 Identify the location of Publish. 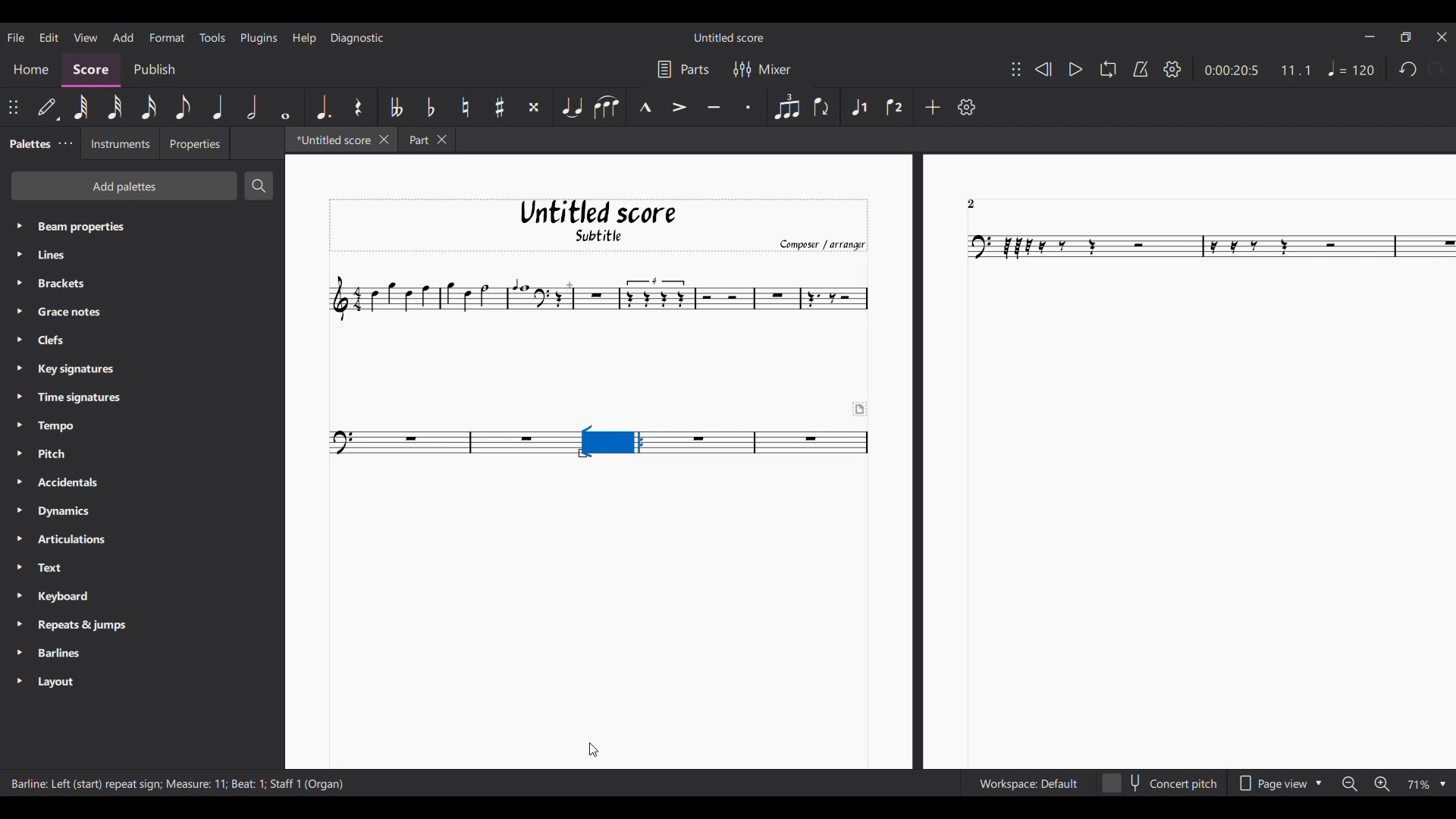
(154, 70).